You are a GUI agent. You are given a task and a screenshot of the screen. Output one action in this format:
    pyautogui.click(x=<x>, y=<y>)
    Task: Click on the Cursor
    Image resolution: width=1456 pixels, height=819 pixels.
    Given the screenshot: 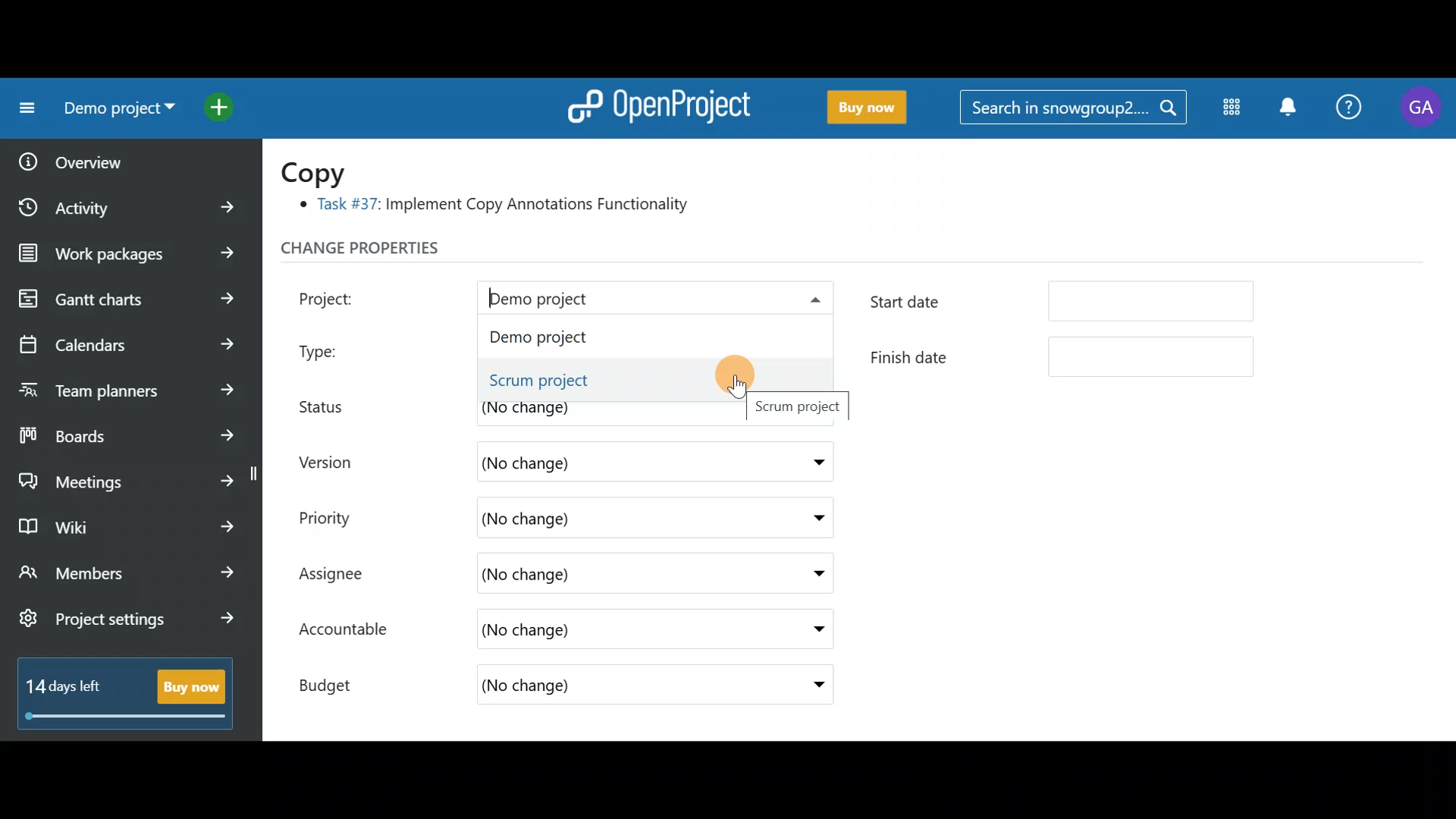 What is the action you would take?
    pyautogui.click(x=727, y=378)
    